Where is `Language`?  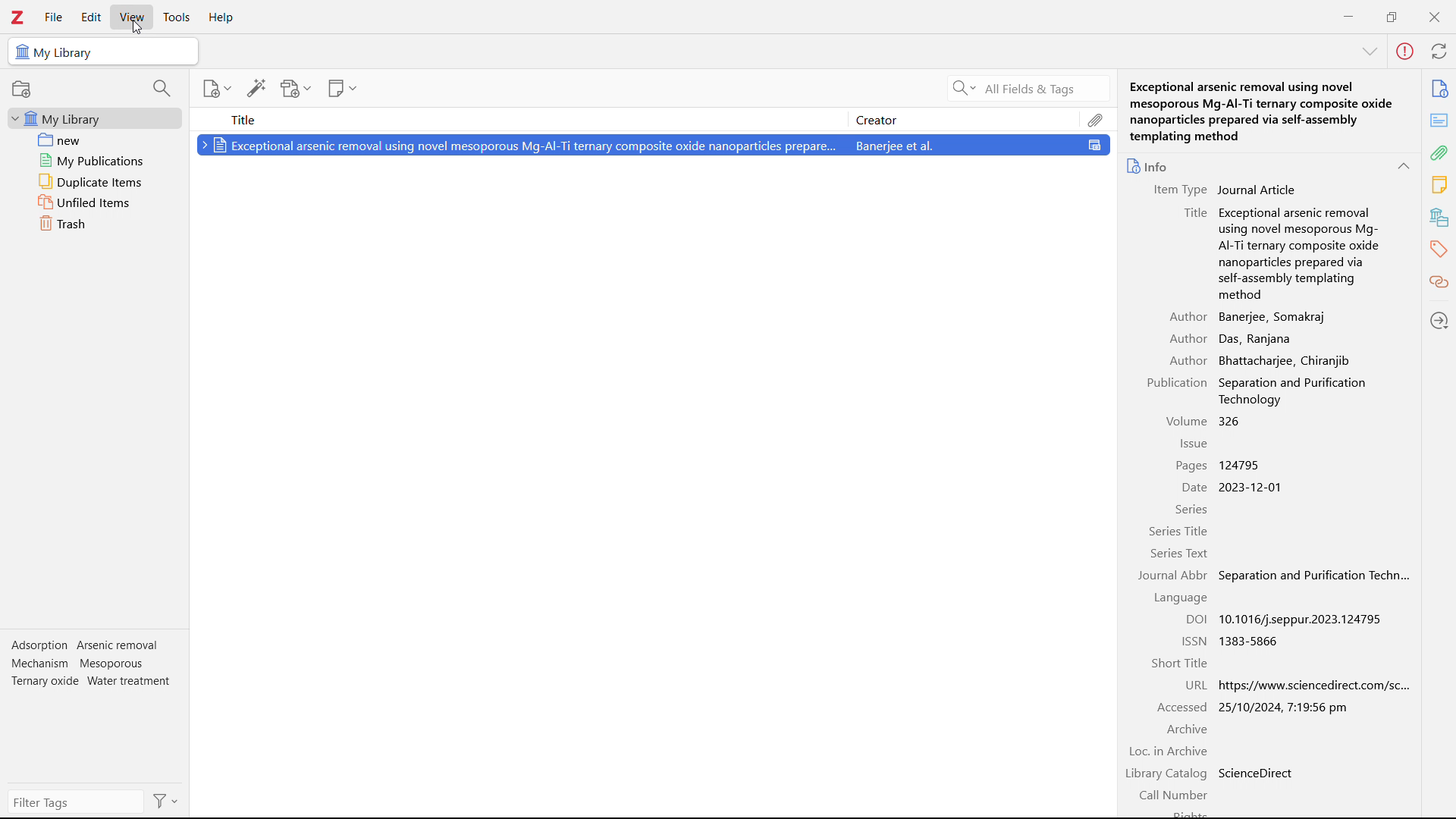 Language is located at coordinates (1180, 598).